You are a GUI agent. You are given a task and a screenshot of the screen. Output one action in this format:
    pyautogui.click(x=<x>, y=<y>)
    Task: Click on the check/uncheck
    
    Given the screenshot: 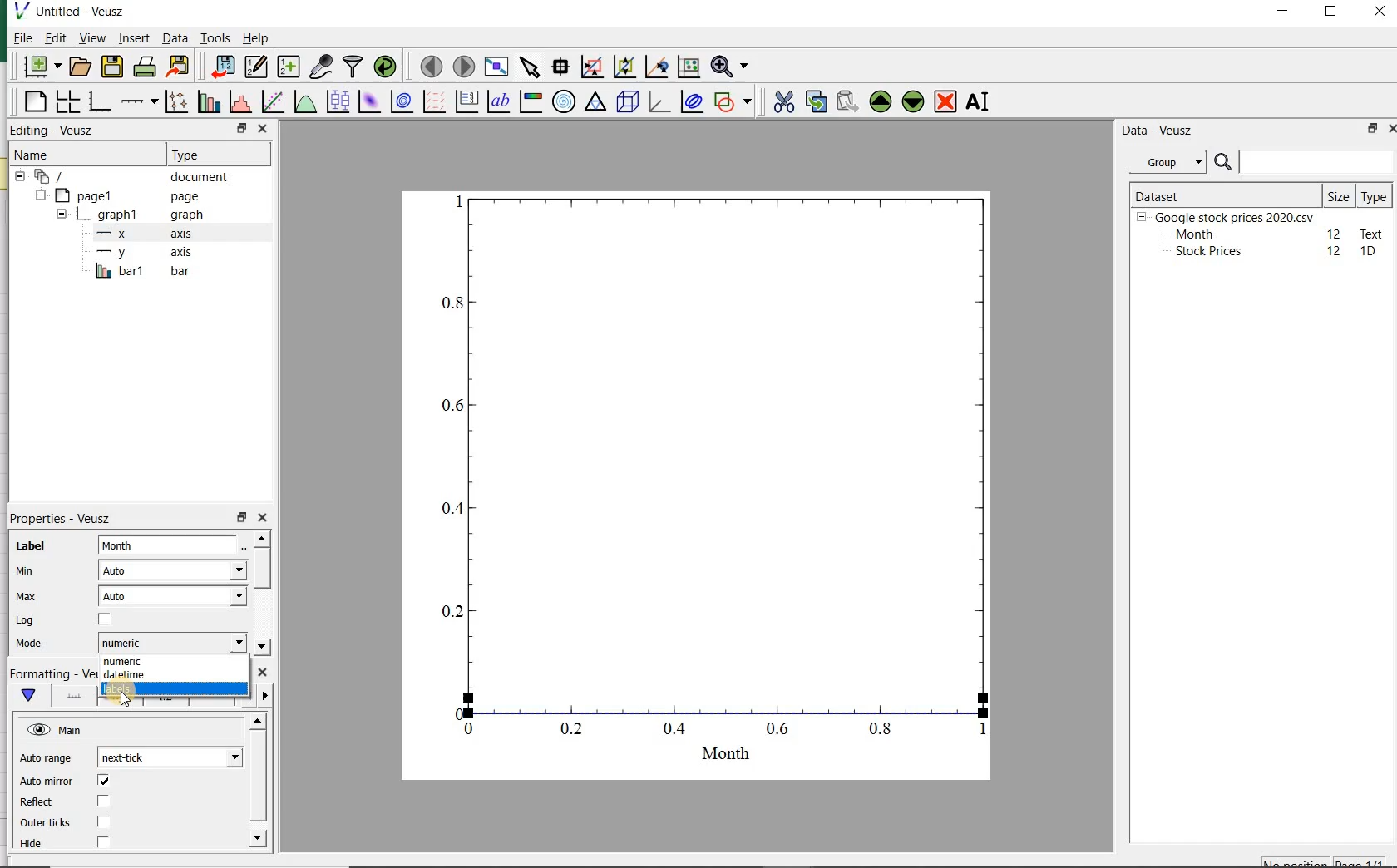 What is the action you would take?
    pyautogui.click(x=103, y=782)
    